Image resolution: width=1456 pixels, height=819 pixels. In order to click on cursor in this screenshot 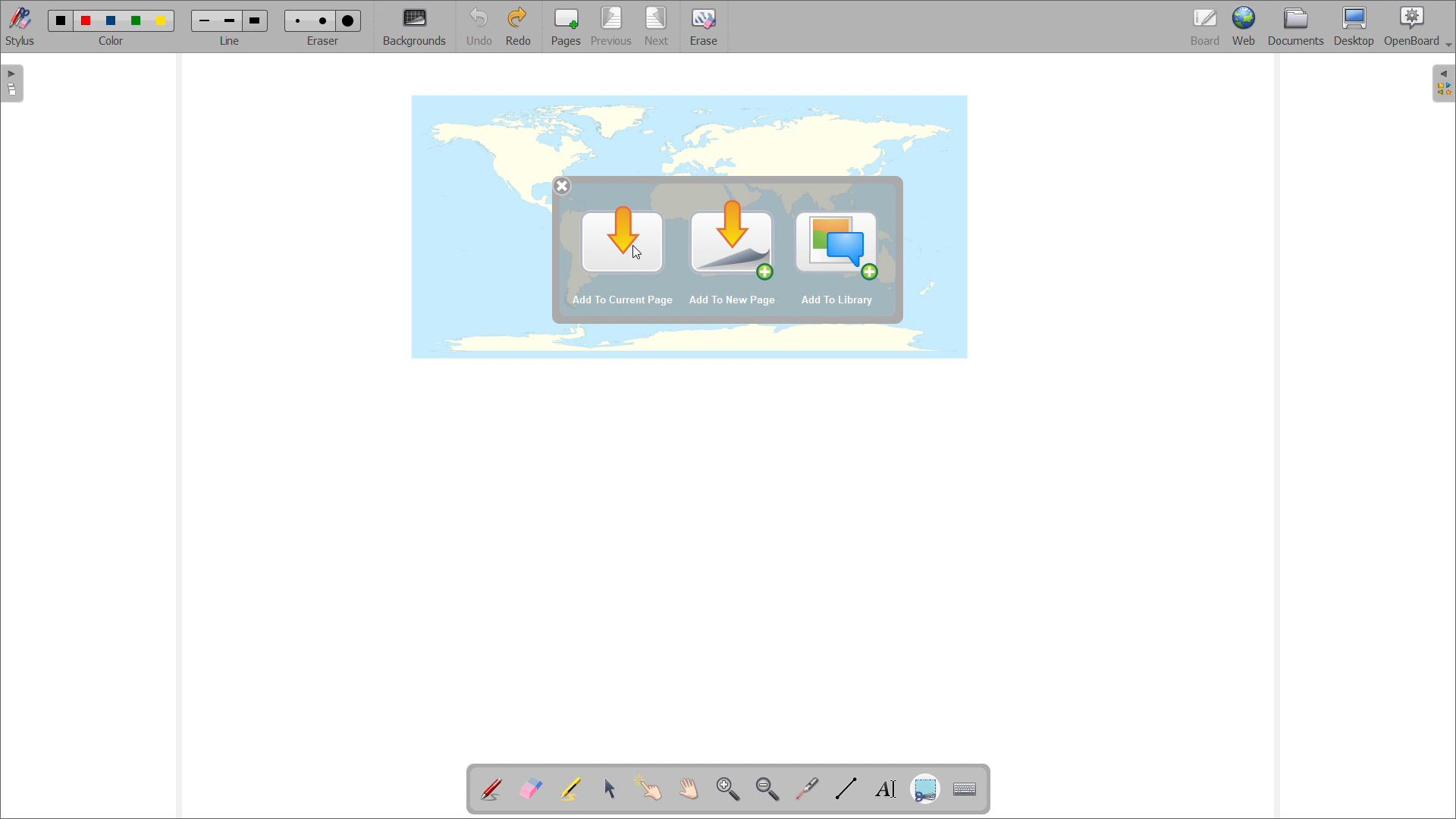, I will do `click(640, 255)`.